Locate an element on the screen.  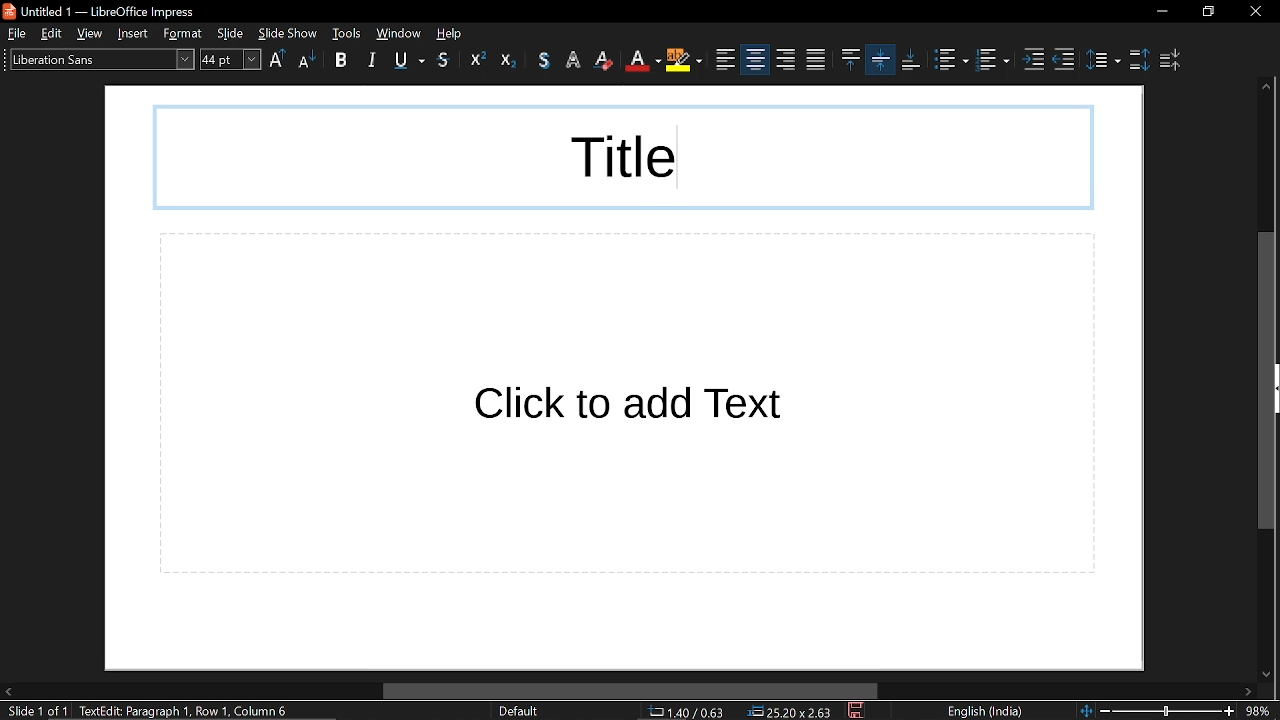
text style is located at coordinates (96, 58).